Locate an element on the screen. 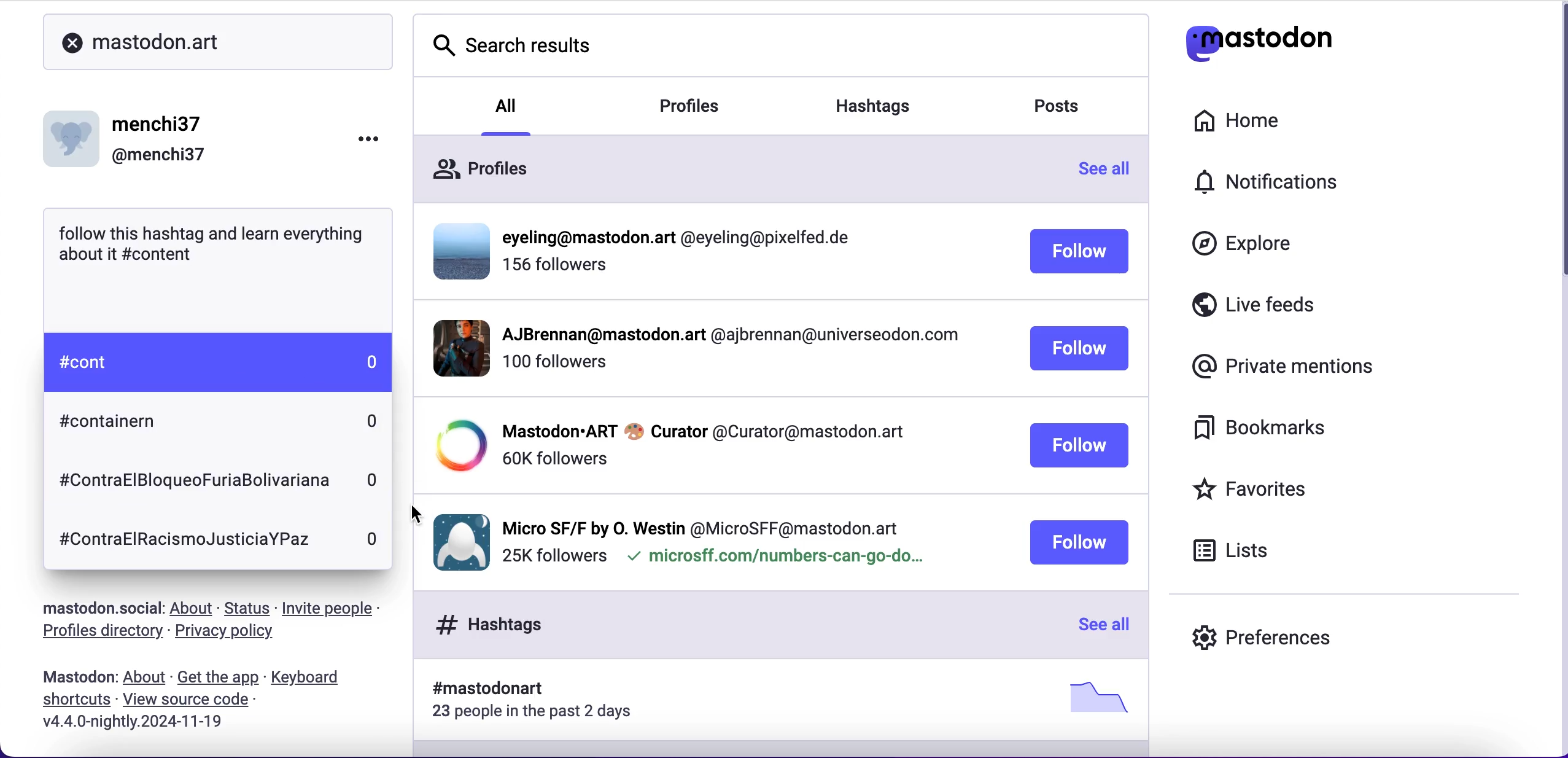 This screenshot has height=758, width=1568. text is located at coordinates (212, 248).